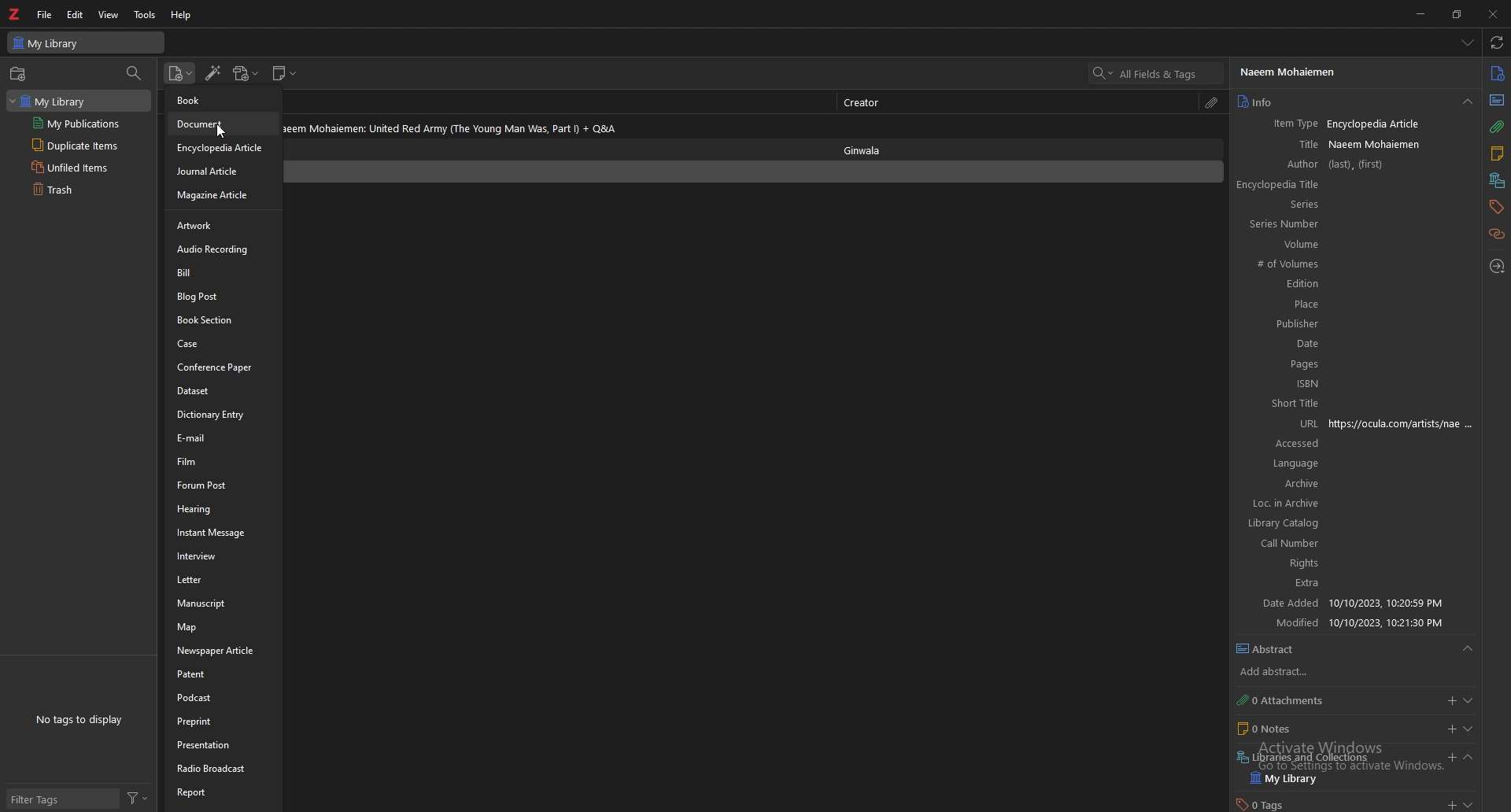  What do you see at coordinates (1280, 444) in the screenshot?
I see `accessed` at bounding box center [1280, 444].